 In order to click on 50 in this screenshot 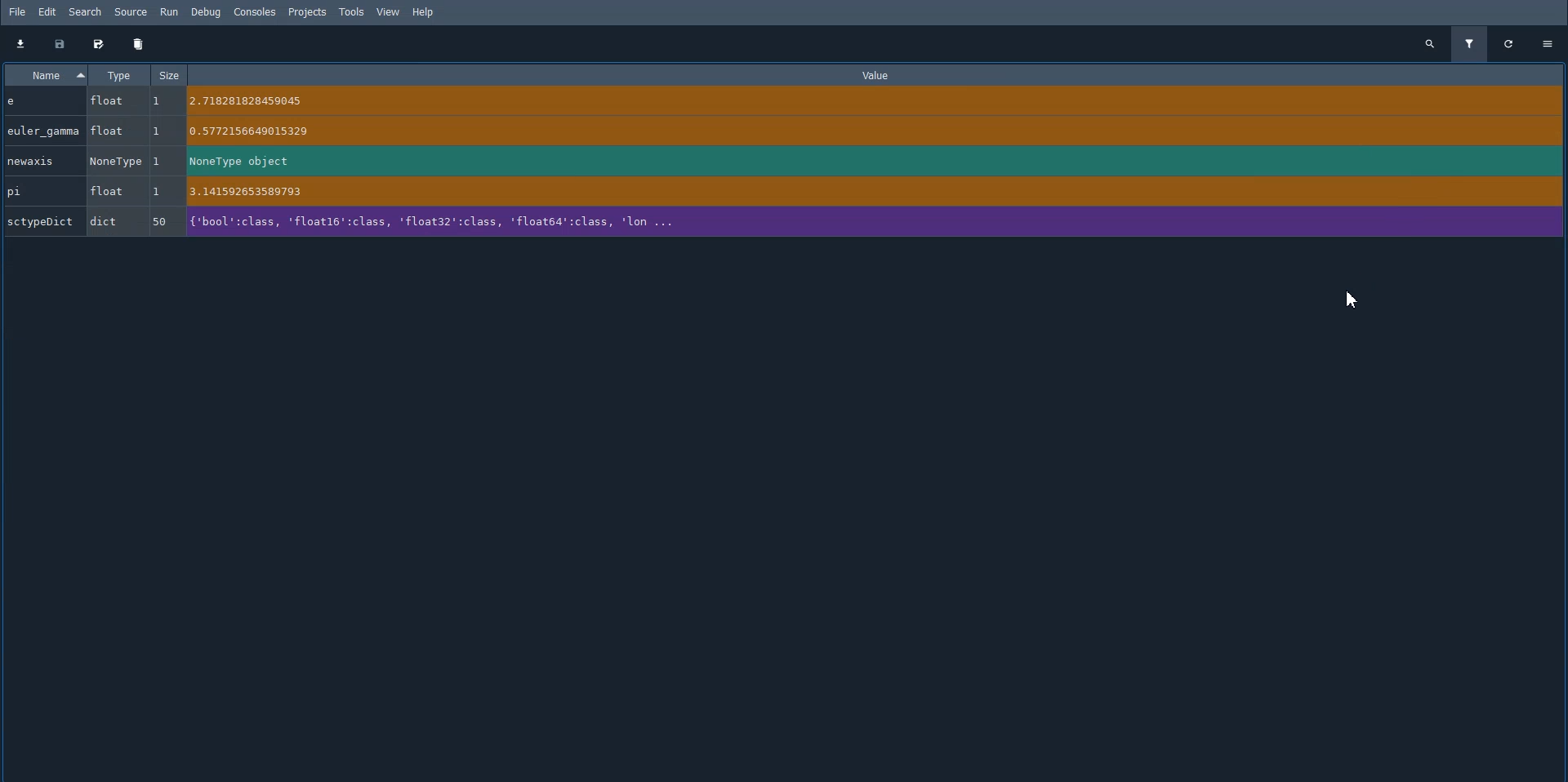, I will do `click(158, 222)`.